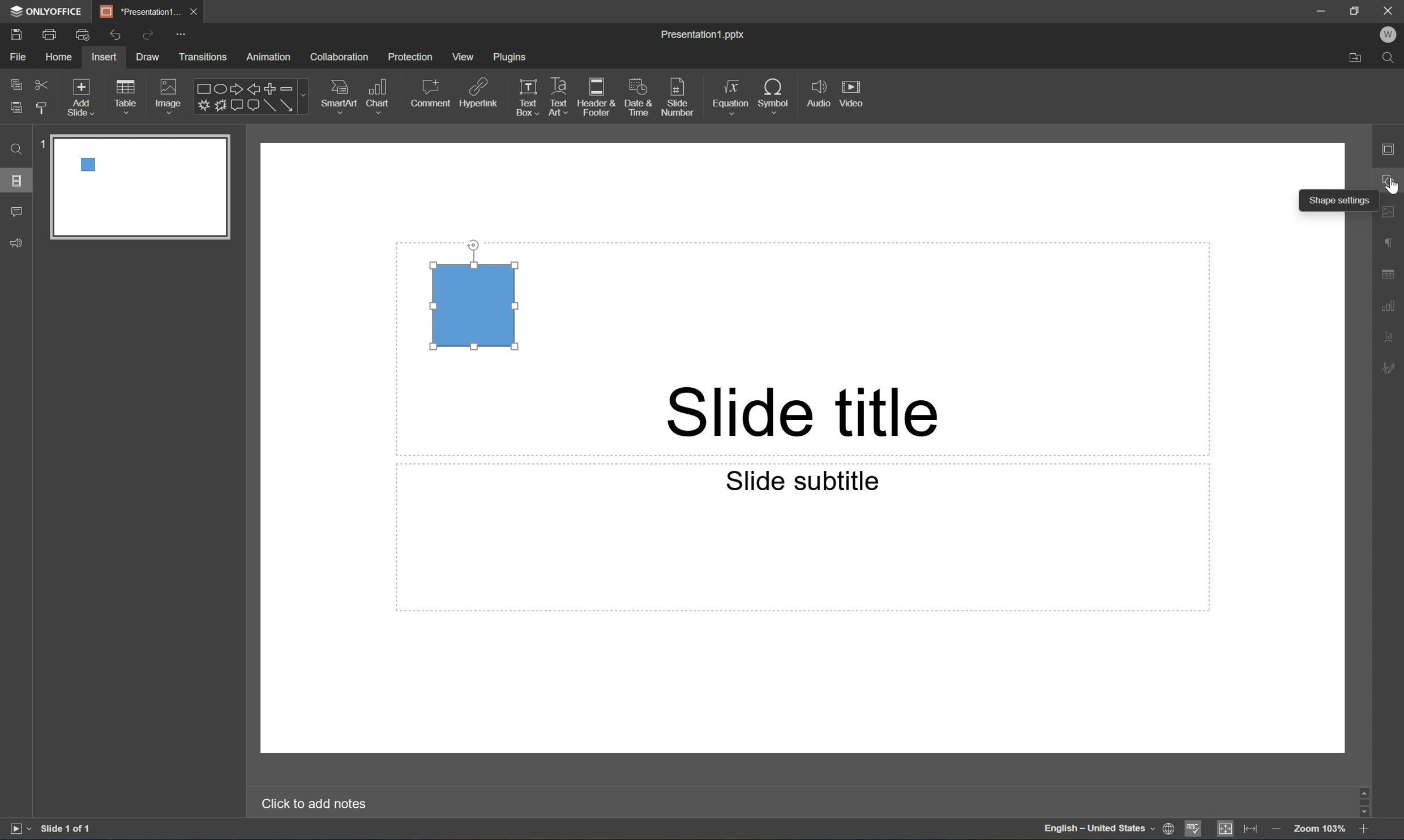 The image size is (1404, 840). I want to click on Cursor, so click(1394, 188).